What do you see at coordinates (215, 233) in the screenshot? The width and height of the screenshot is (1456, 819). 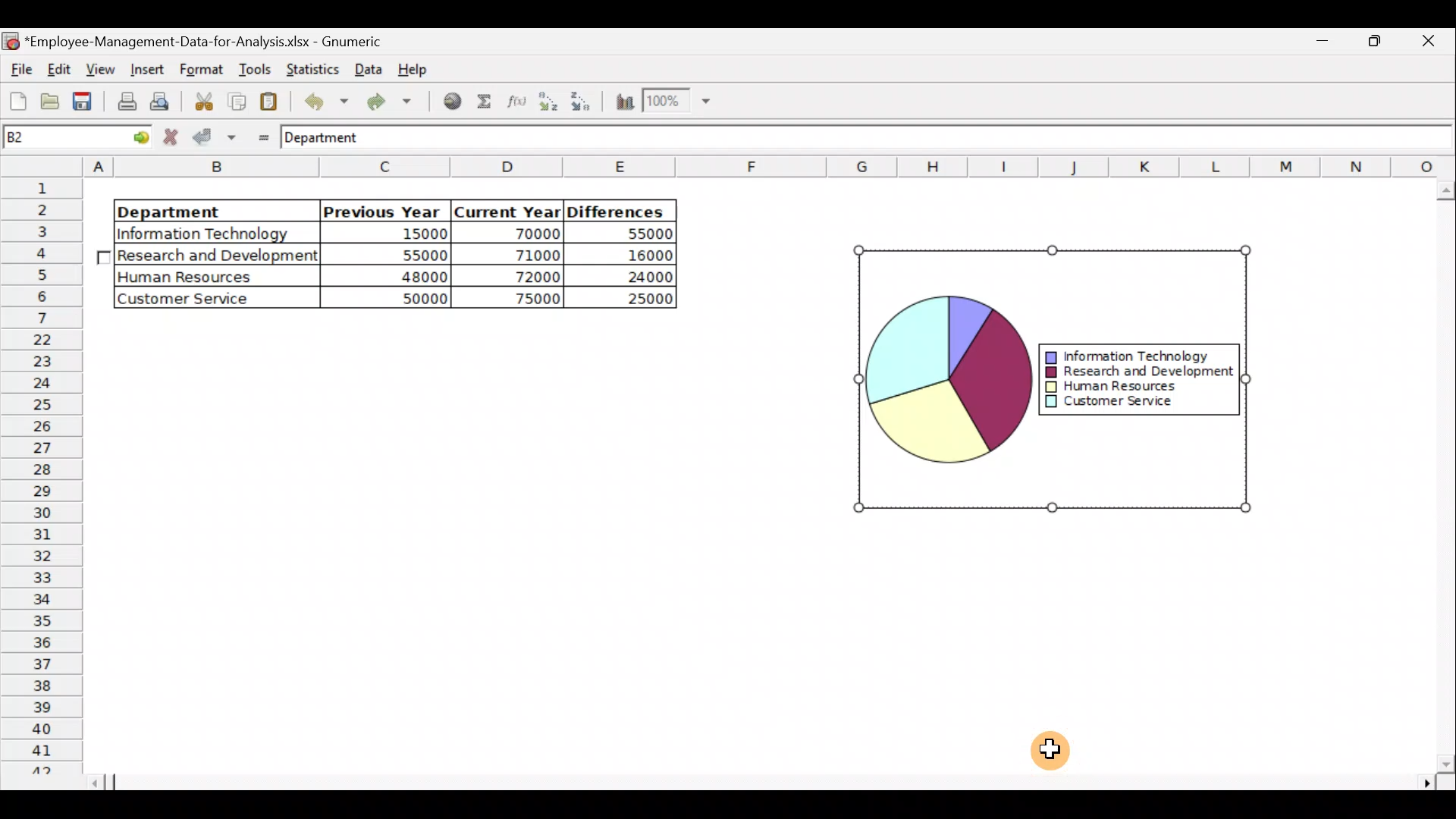 I see `|Information Technology` at bounding box center [215, 233].